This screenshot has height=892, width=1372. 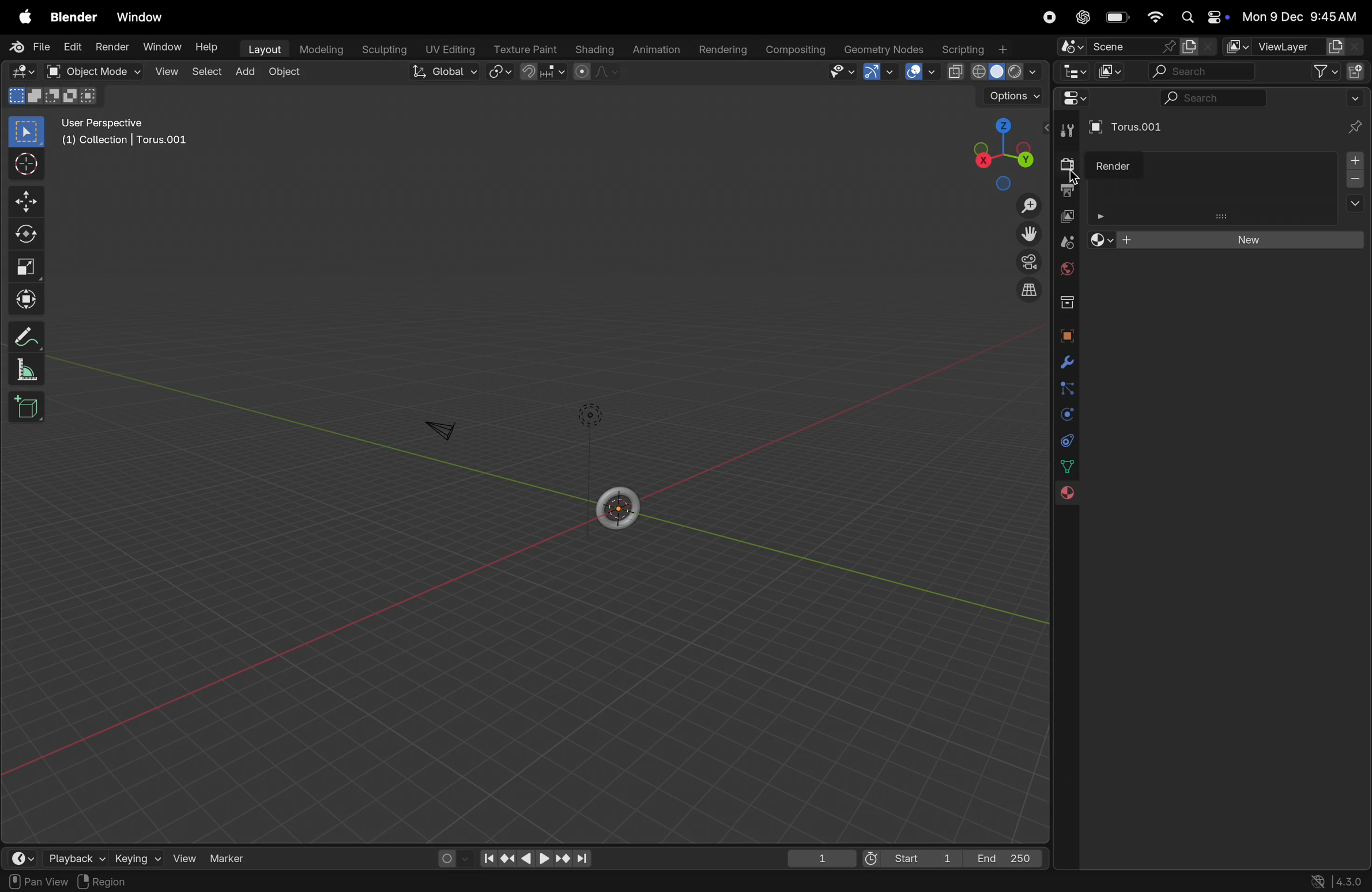 What do you see at coordinates (1204, 16) in the screenshot?
I see `apple widgets` at bounding box center [1204, 16].